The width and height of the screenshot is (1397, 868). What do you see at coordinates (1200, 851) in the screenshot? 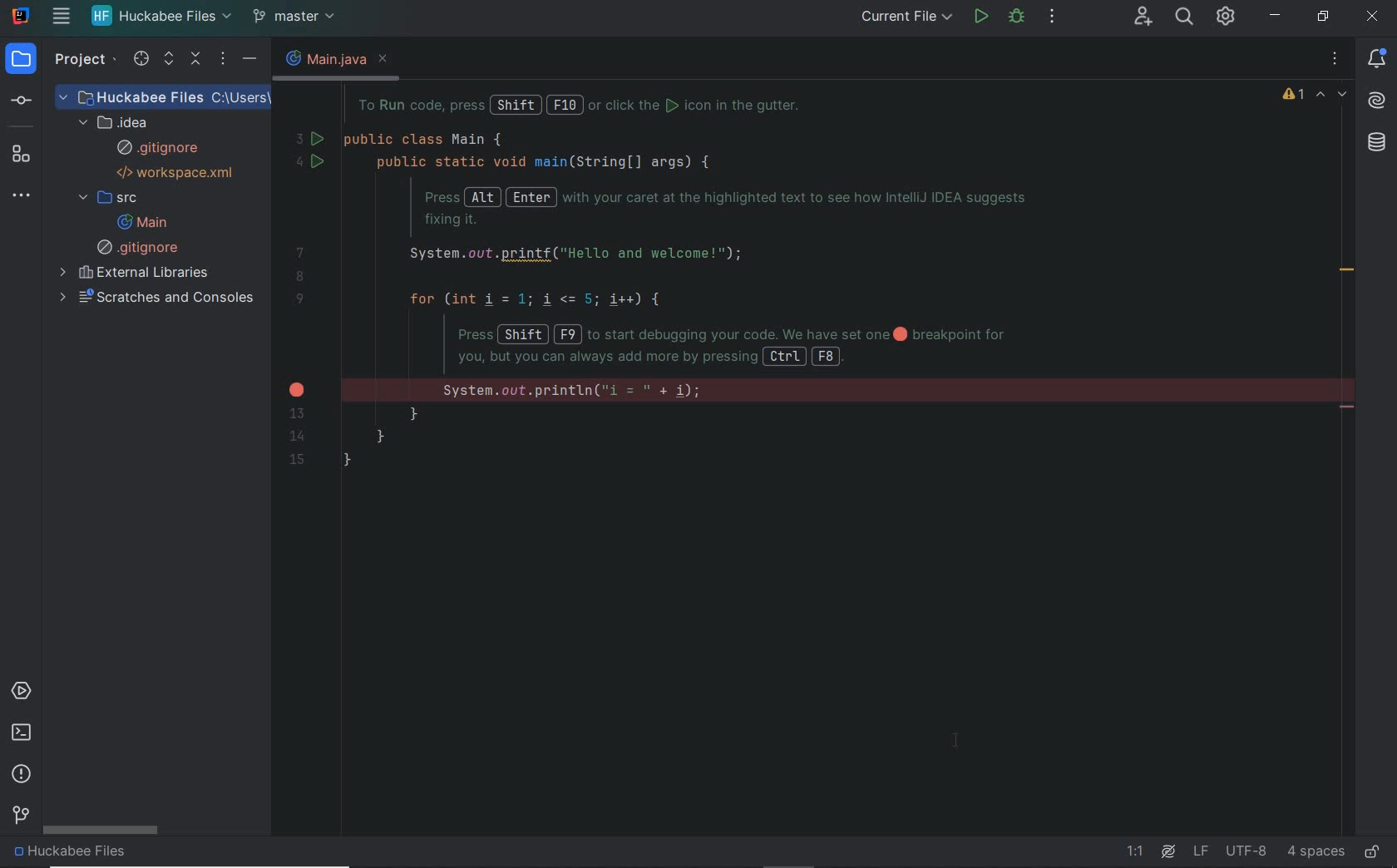
I see `line separator` at bounding box center [1200, 851].